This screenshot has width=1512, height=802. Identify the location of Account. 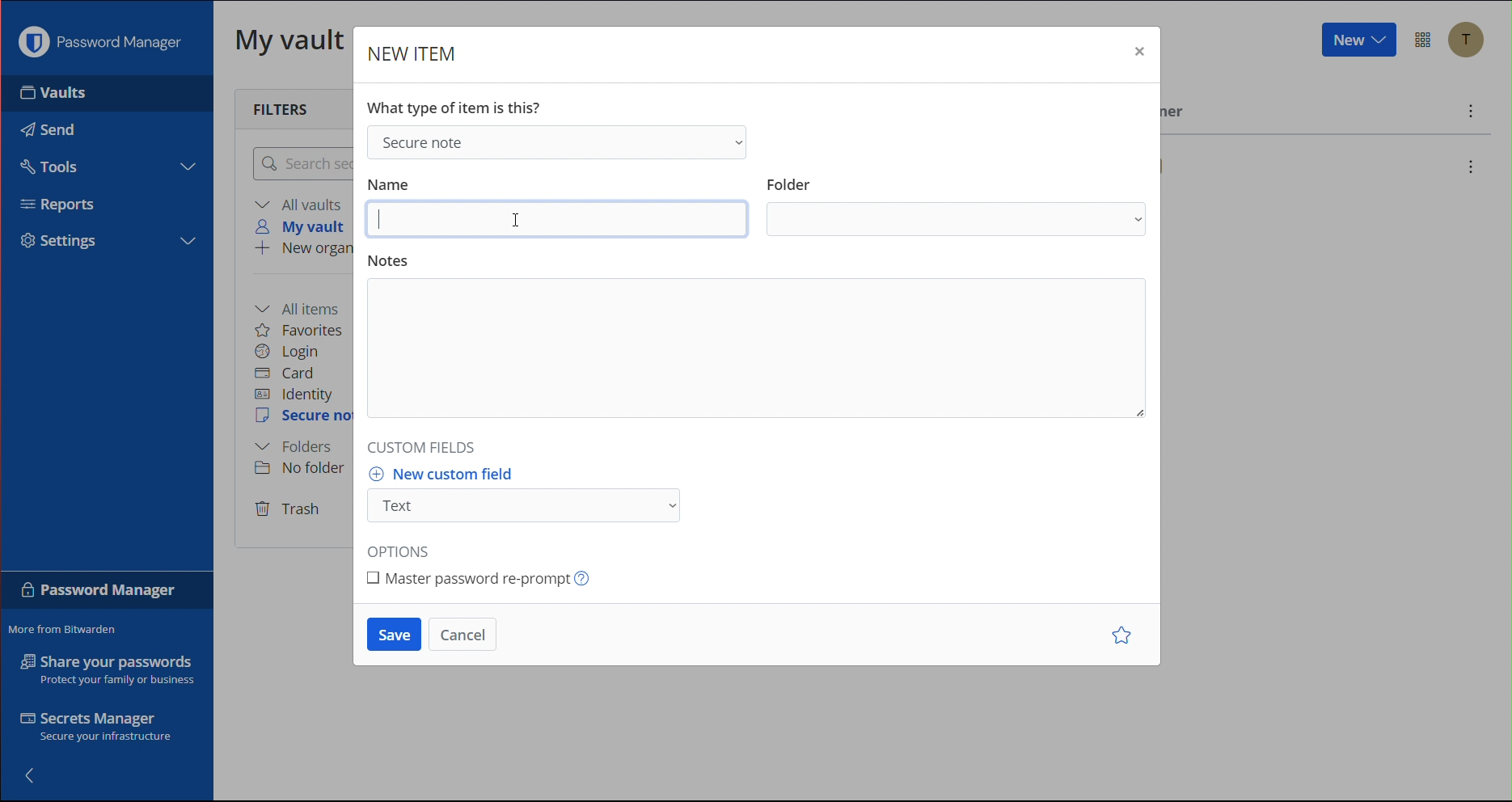
(1472, 42).